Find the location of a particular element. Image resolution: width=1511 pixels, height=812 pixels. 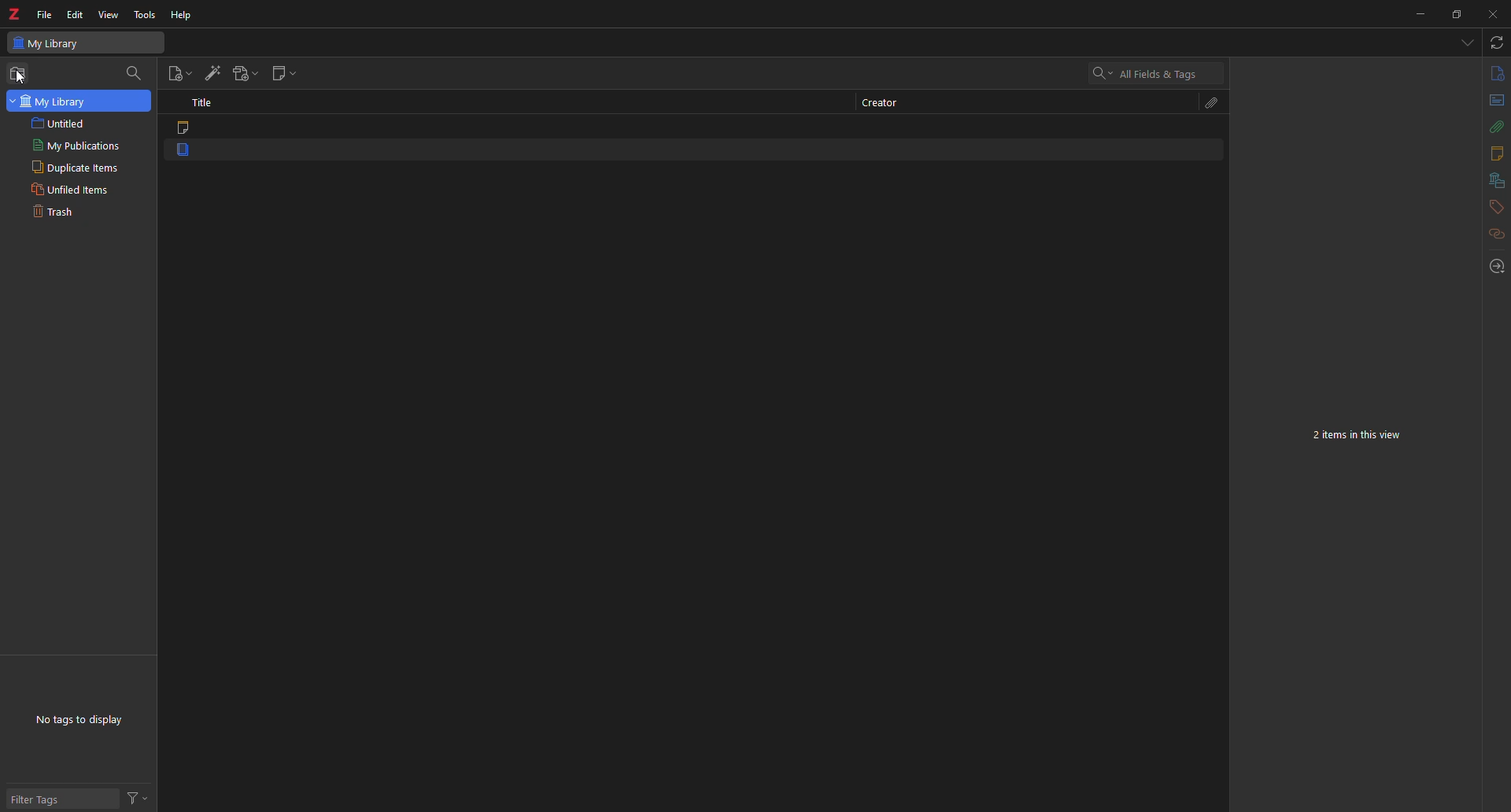

no tags to display is located at coordinates (86, 718).